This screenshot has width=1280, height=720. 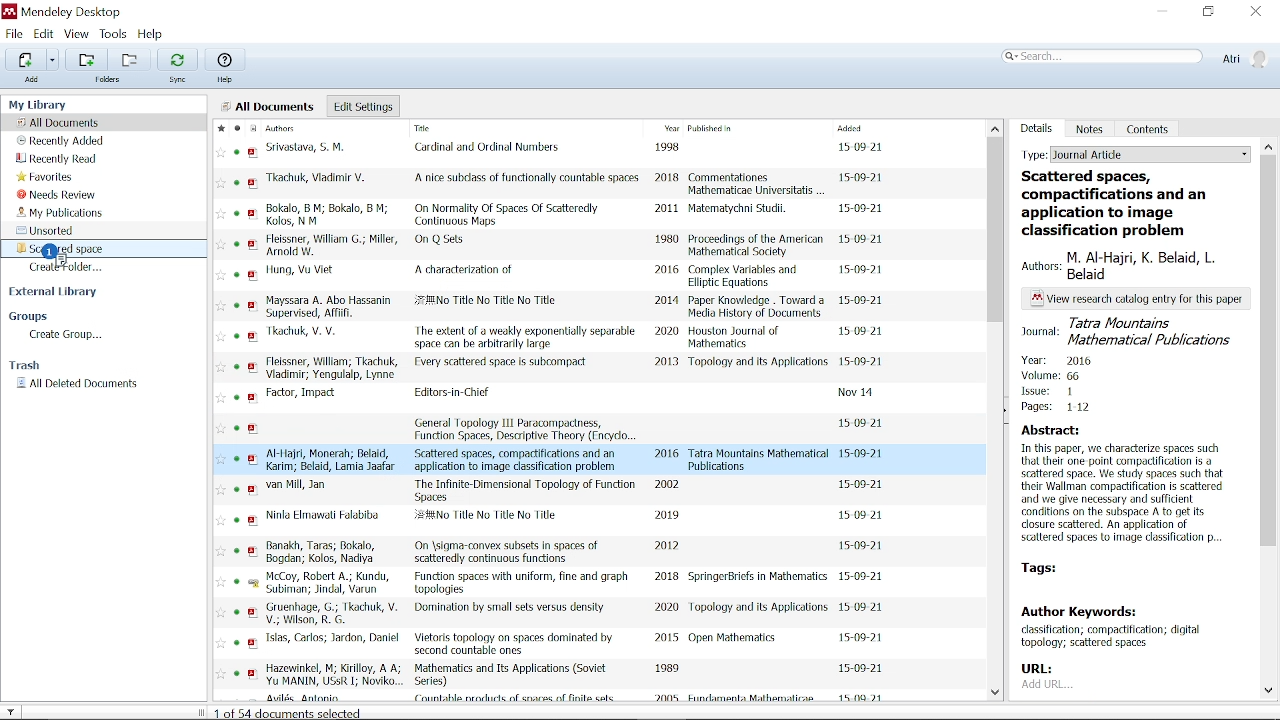 What do you see at coordinates (86, 59) in the screenshot?
I see `Add folder` at bounding box center [86, 59].